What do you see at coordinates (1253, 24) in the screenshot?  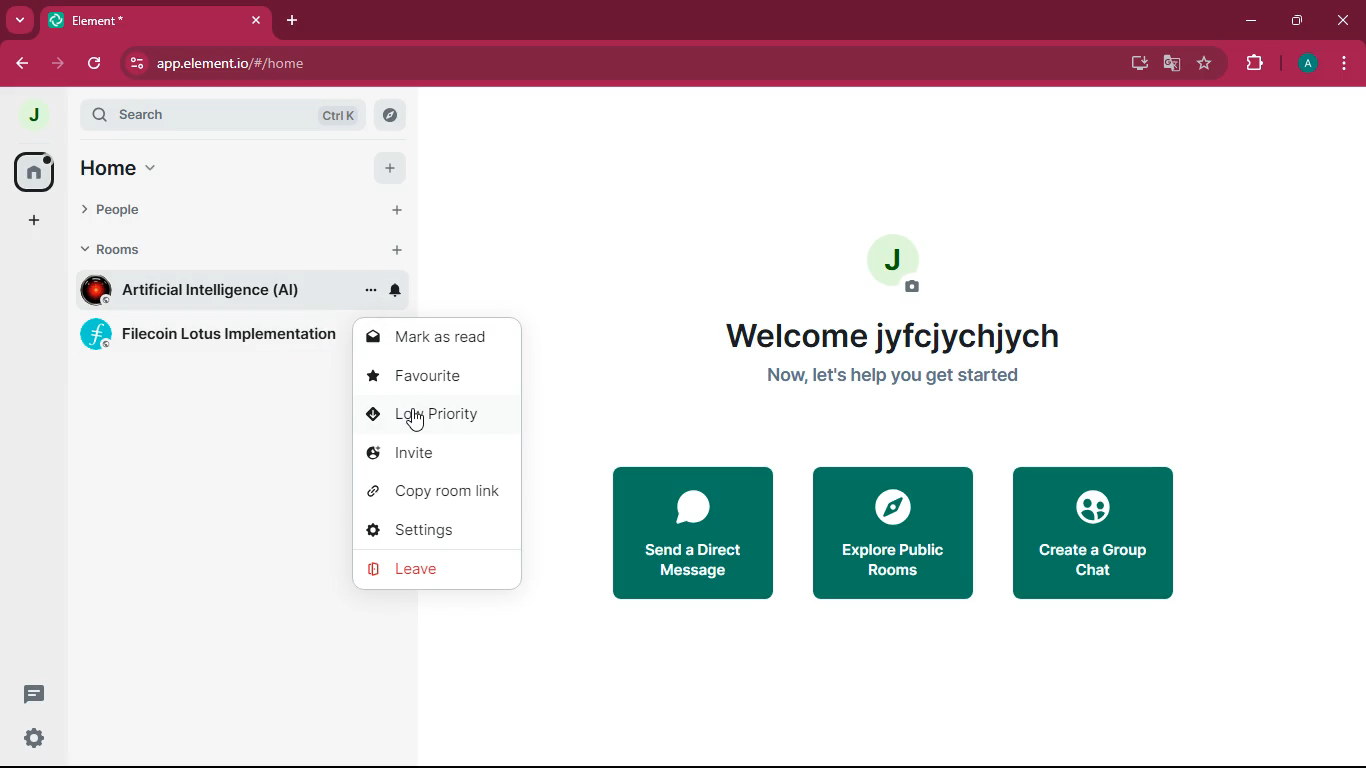 I see `minimize` at bounding box center [1253, 24].